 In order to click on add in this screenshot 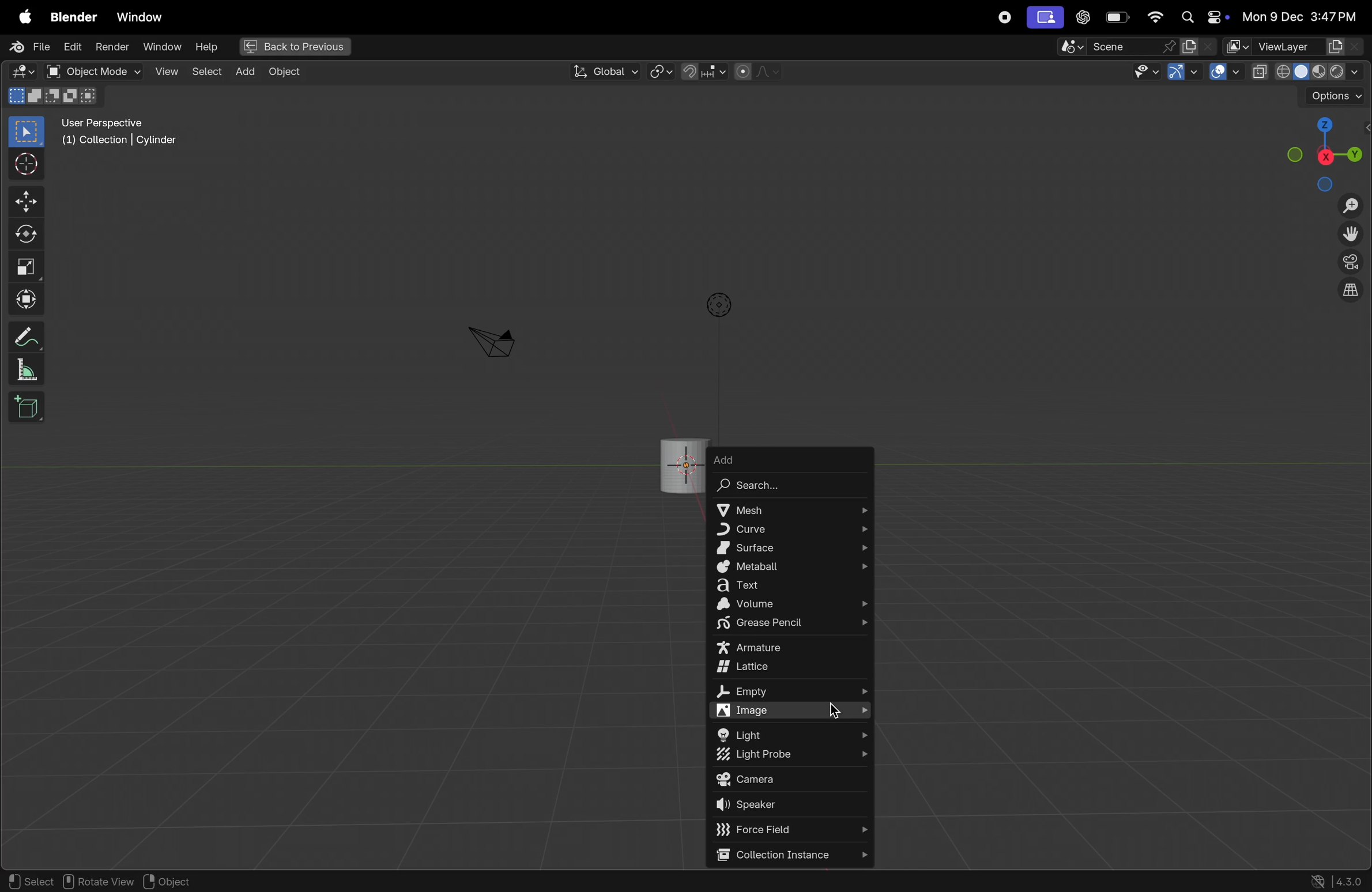, I will do `click(755, 459)`.